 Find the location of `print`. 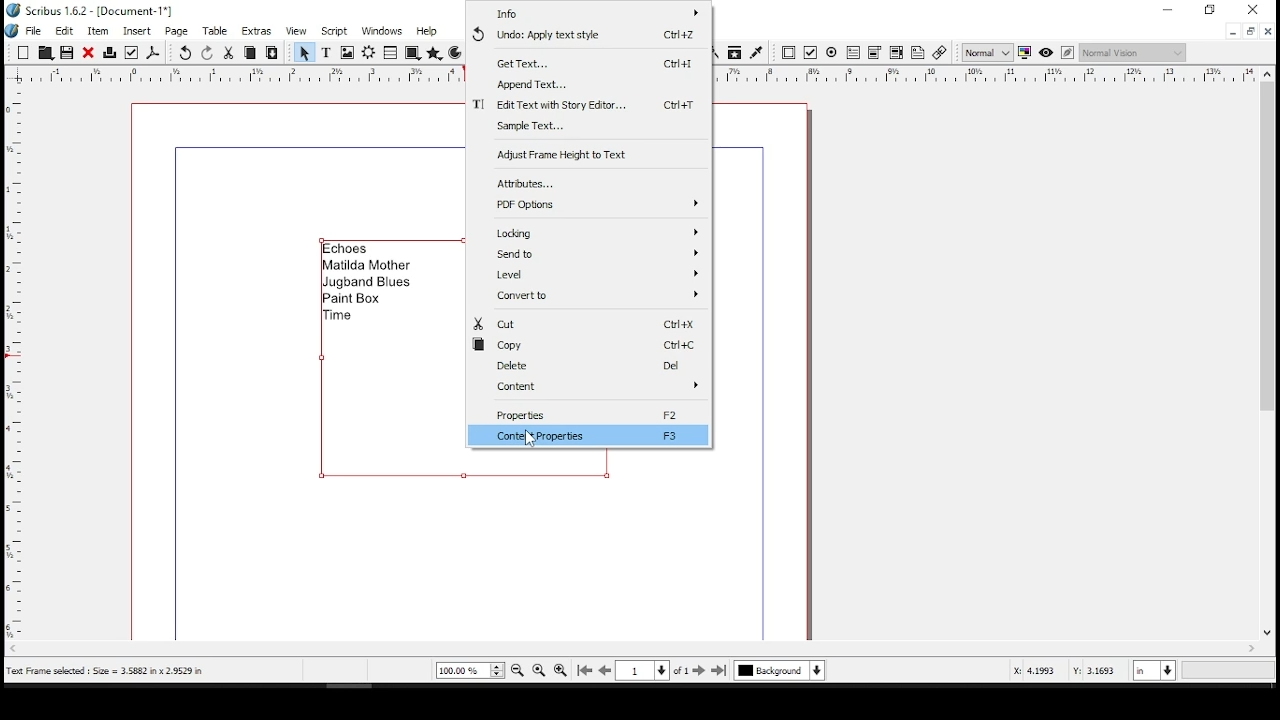

print is located at coordinates (111, 51).